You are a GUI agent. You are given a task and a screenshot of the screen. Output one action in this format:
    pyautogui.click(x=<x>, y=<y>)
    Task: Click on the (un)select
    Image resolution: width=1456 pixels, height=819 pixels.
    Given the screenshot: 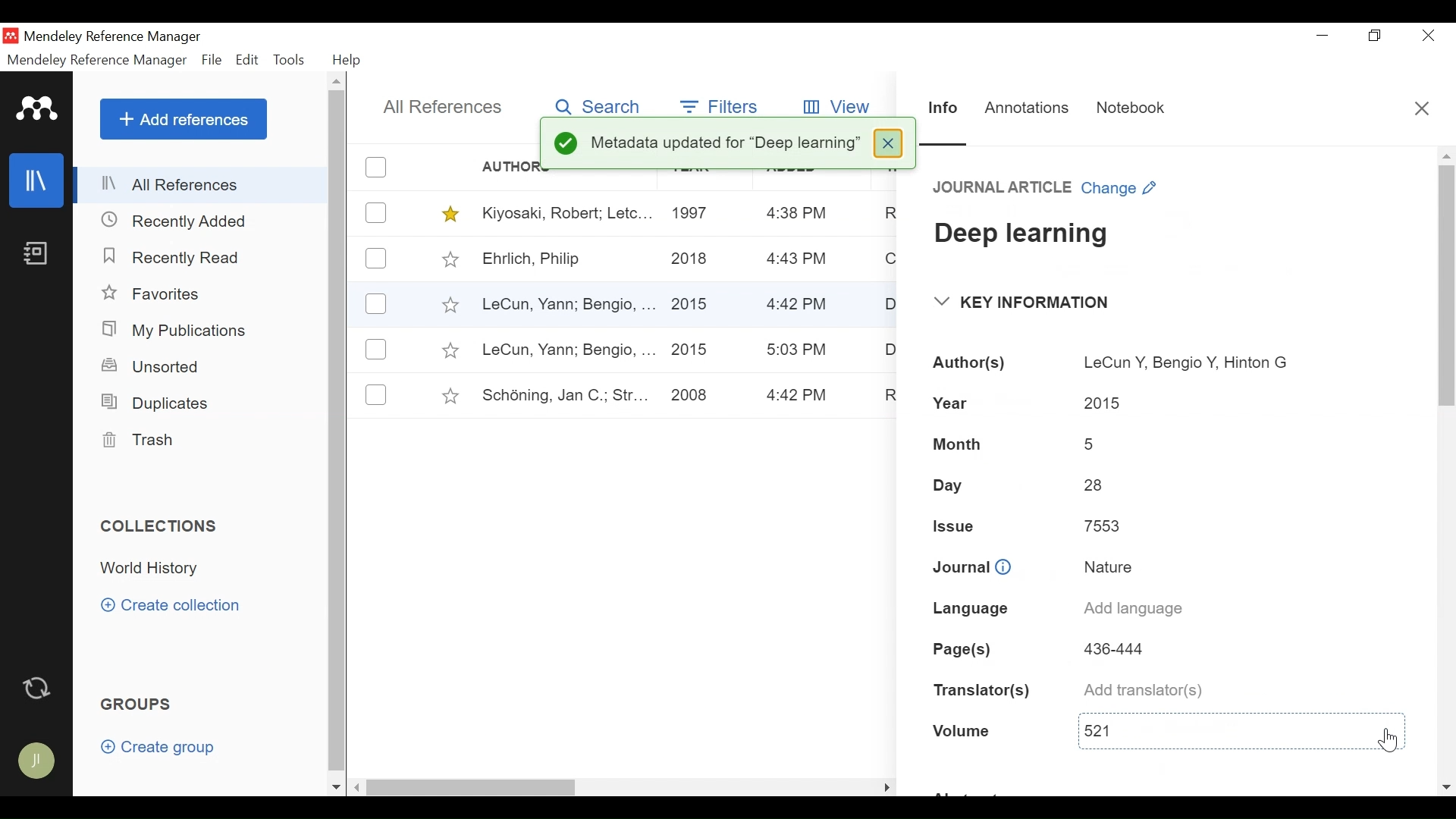 What is the action you would take?
    pyautogui.click(x=376, y=167)
    